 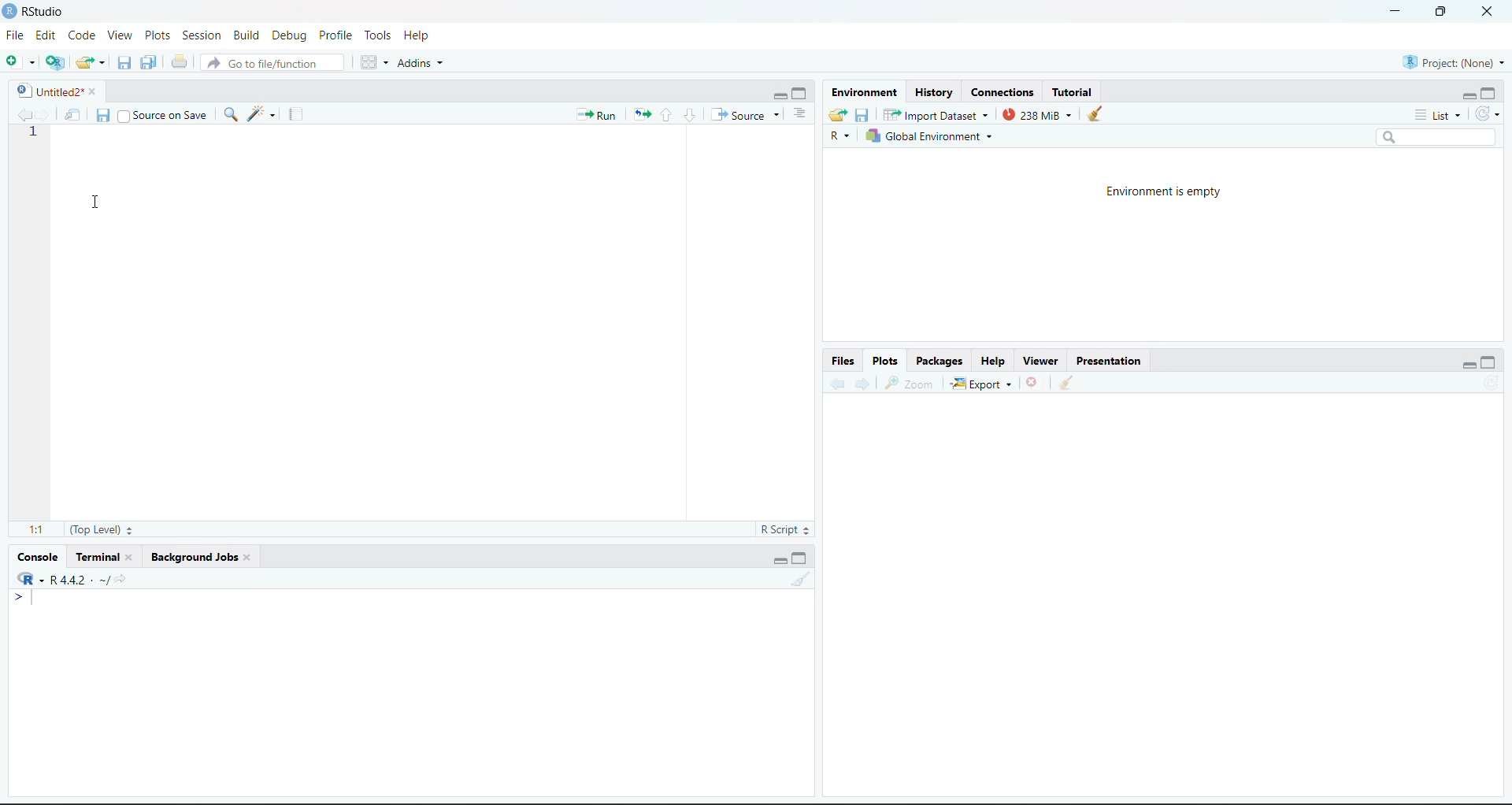 What do you see at coordinates (31, 132) in the screenshot?
I see `1` at bounding box center [31, 132].